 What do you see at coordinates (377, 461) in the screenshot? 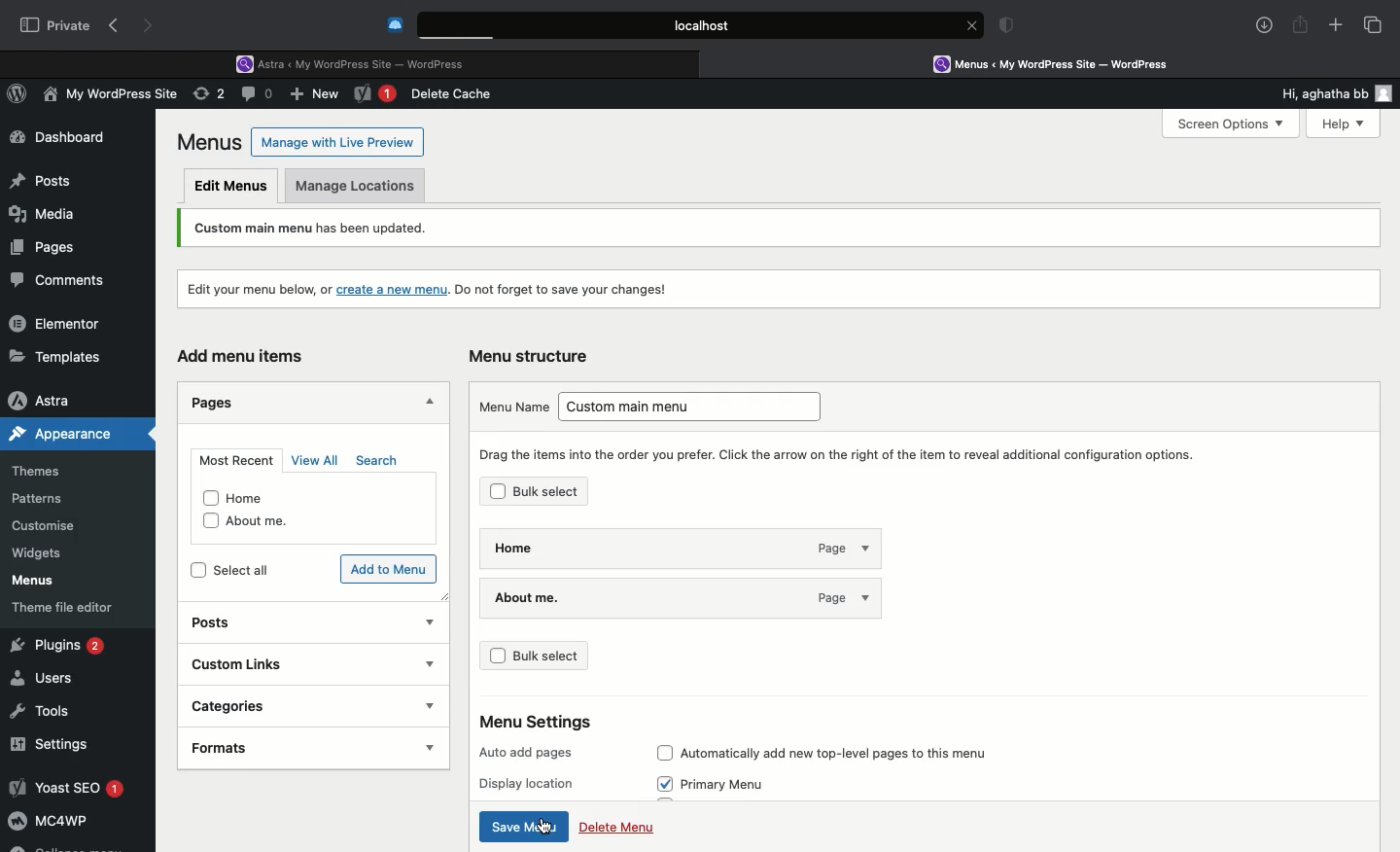
I see `Search` at bounding box center [377, 461].